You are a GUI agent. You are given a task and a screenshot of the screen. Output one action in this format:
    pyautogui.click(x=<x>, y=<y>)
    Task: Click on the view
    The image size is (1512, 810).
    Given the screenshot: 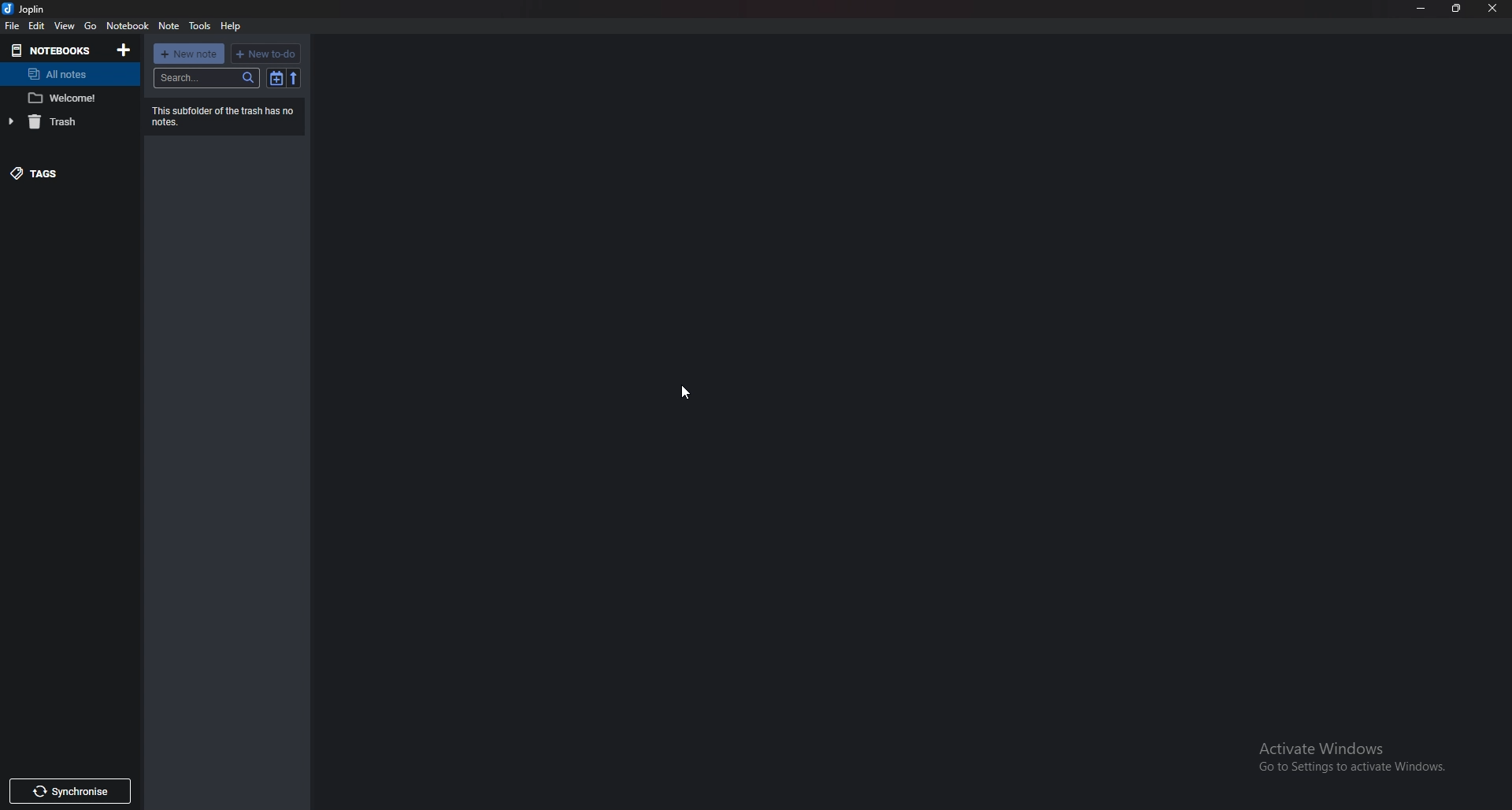 What is the action you would take?
    pyautogui.click(x=64, y=25)
    